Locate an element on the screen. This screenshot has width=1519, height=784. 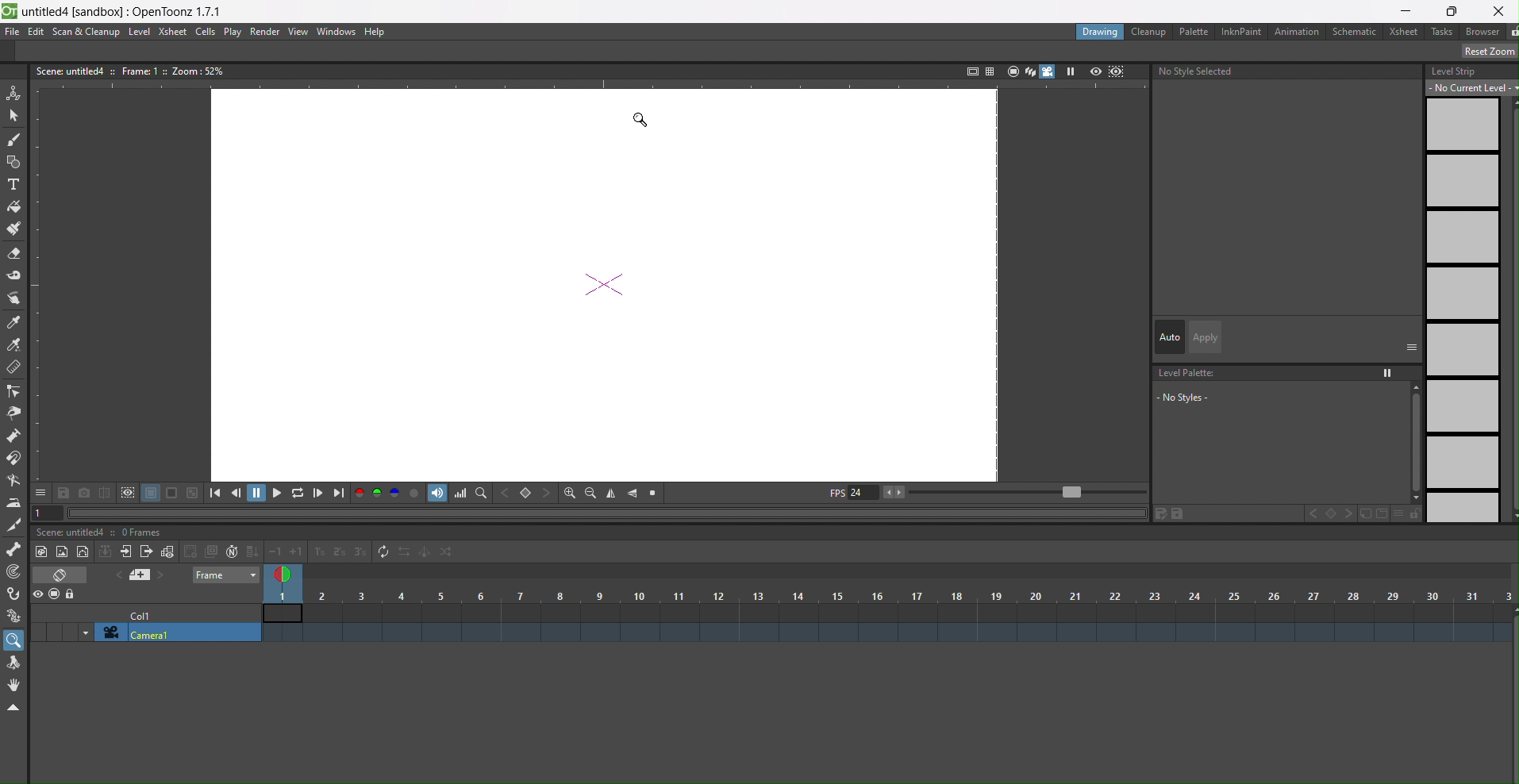
playback range slider is located at coordinates (1017, 490).